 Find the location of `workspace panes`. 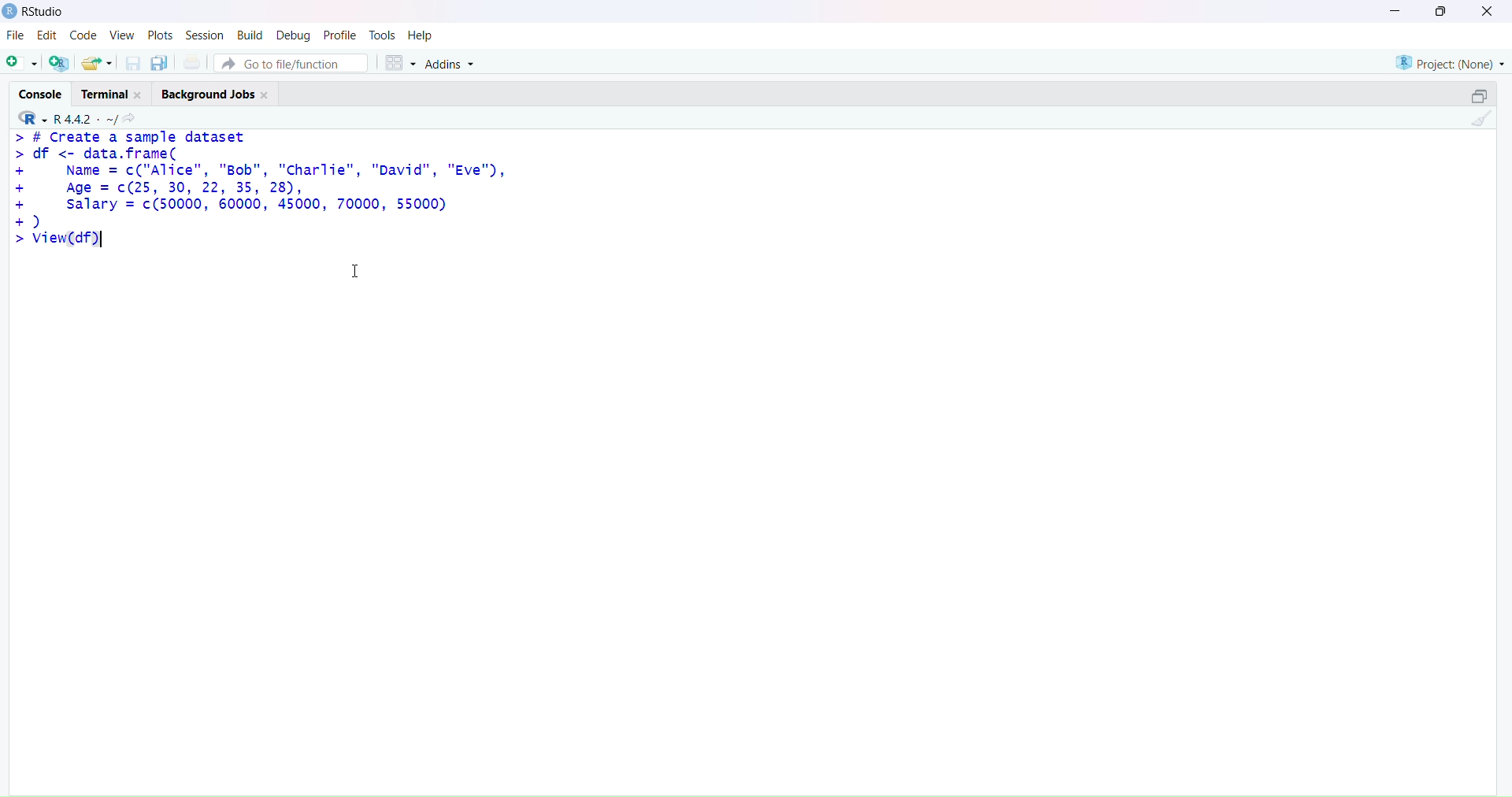

workspace panes is located at coordinates (399, 64).